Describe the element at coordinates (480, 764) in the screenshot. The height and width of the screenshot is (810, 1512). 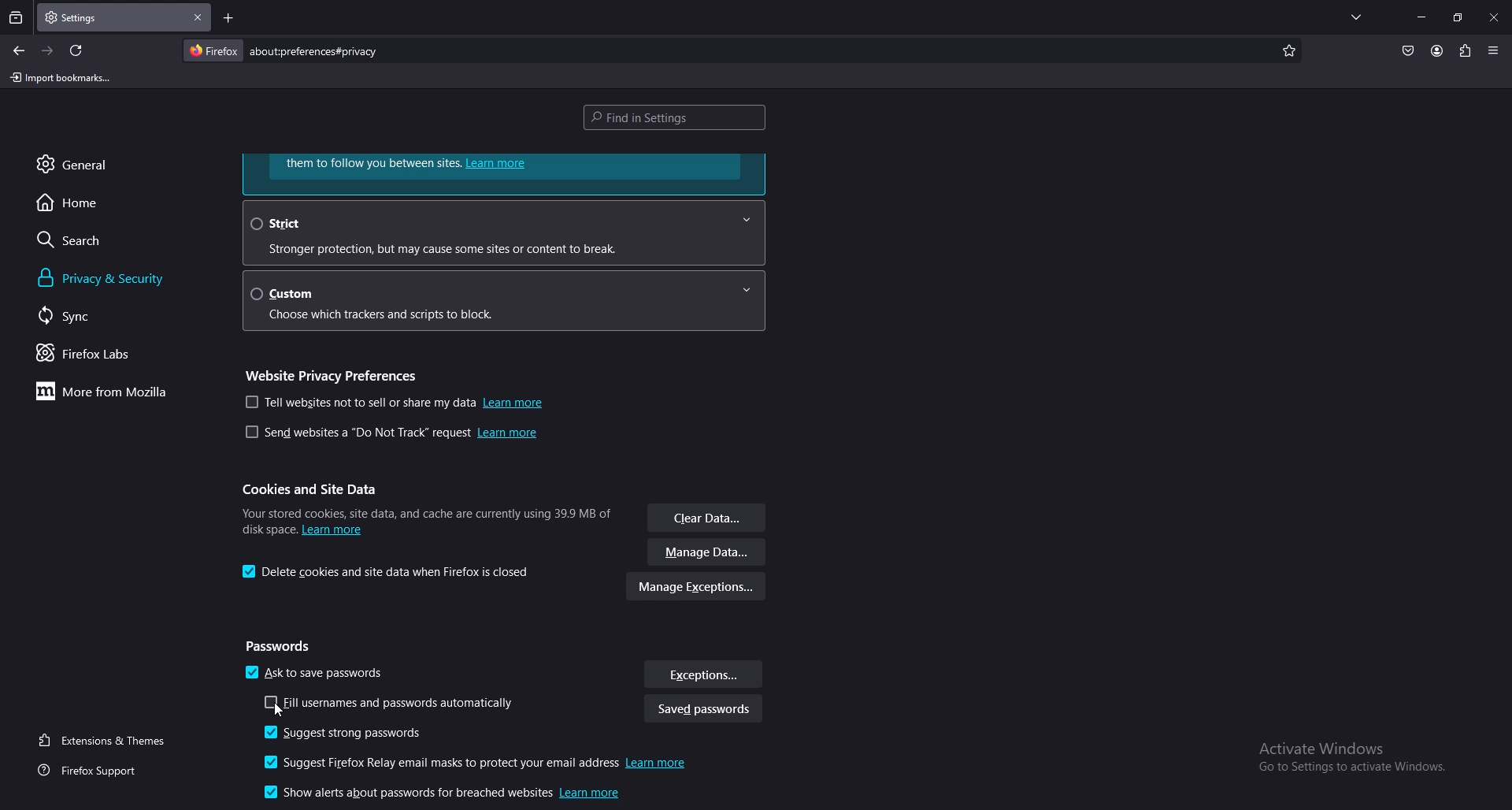
I see `suggest firefox relay email masks` at that location.